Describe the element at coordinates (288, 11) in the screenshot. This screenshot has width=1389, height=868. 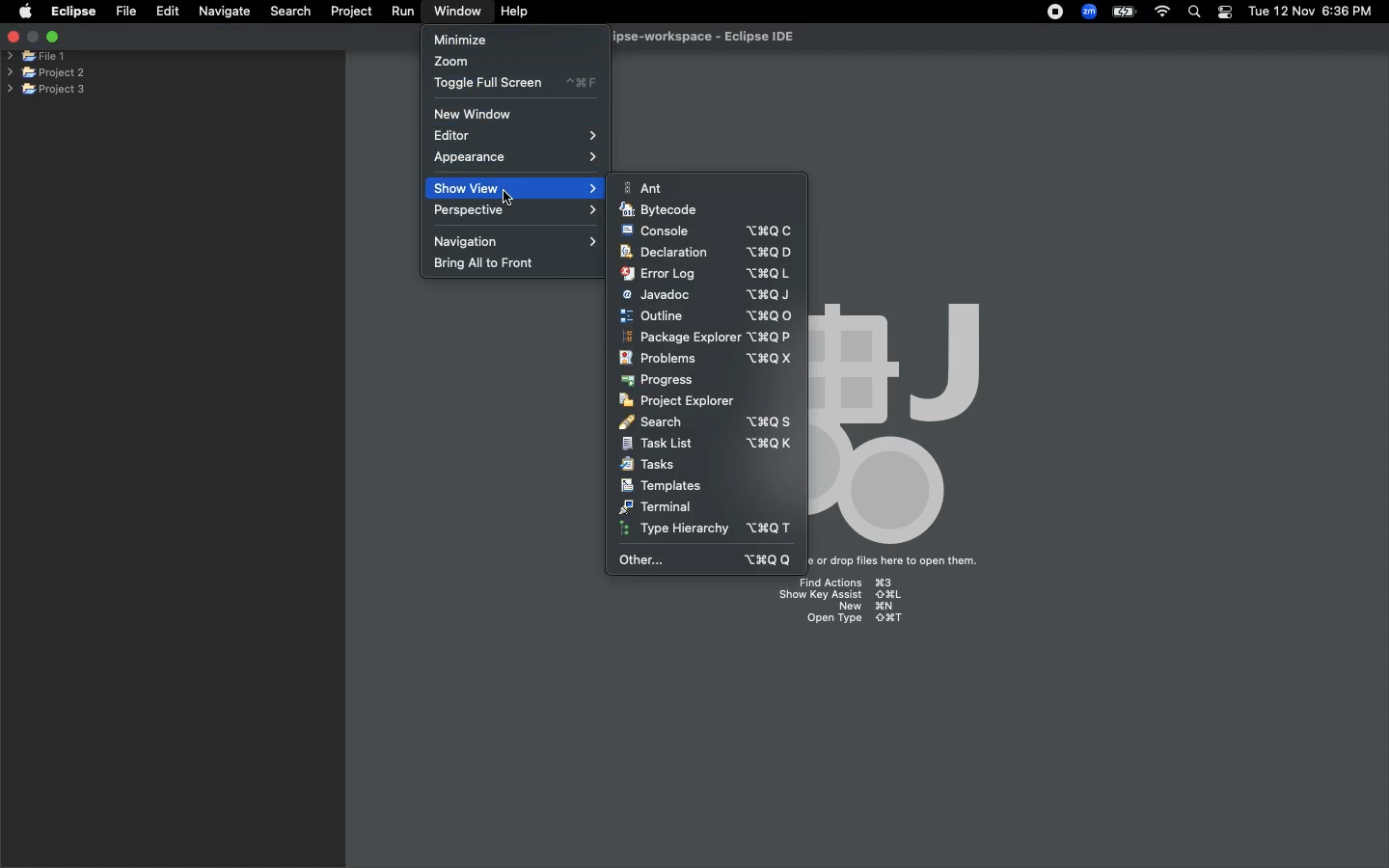
I see `Search` at that location.